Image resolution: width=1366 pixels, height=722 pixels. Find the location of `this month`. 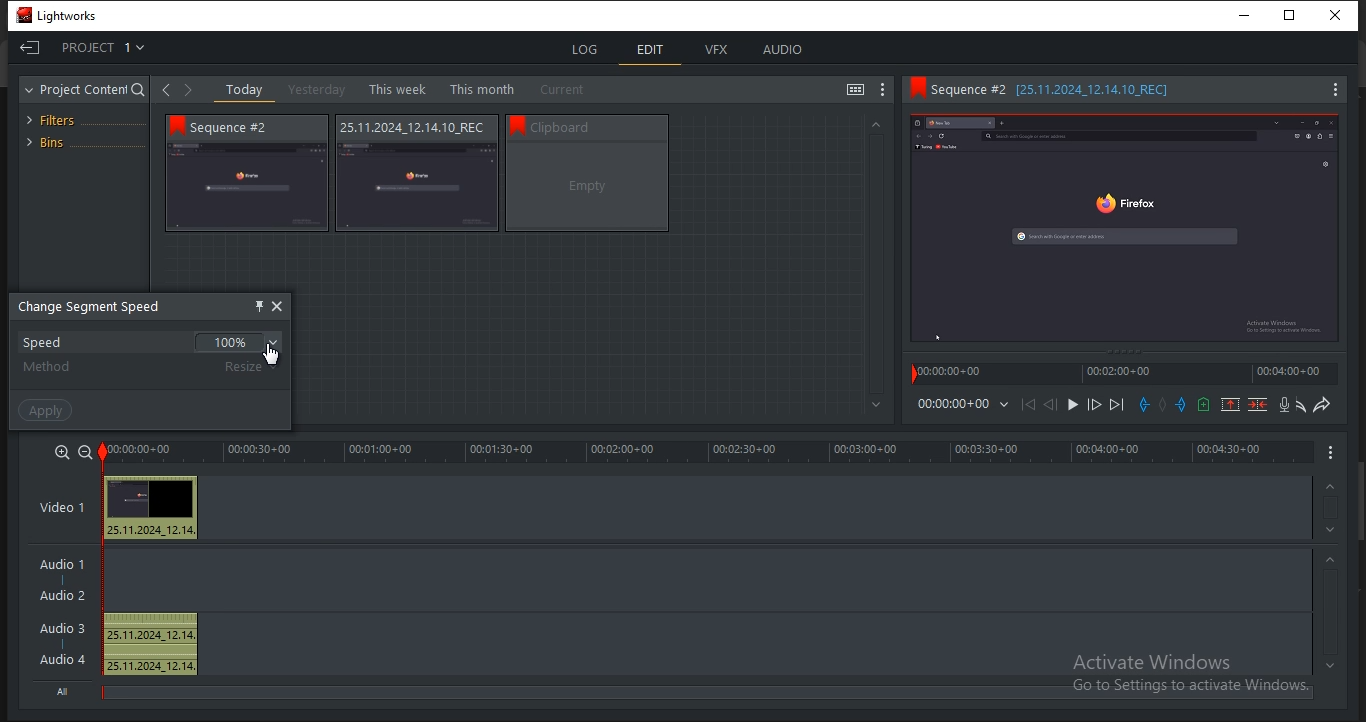

this month is located at coordinates (482, 88).